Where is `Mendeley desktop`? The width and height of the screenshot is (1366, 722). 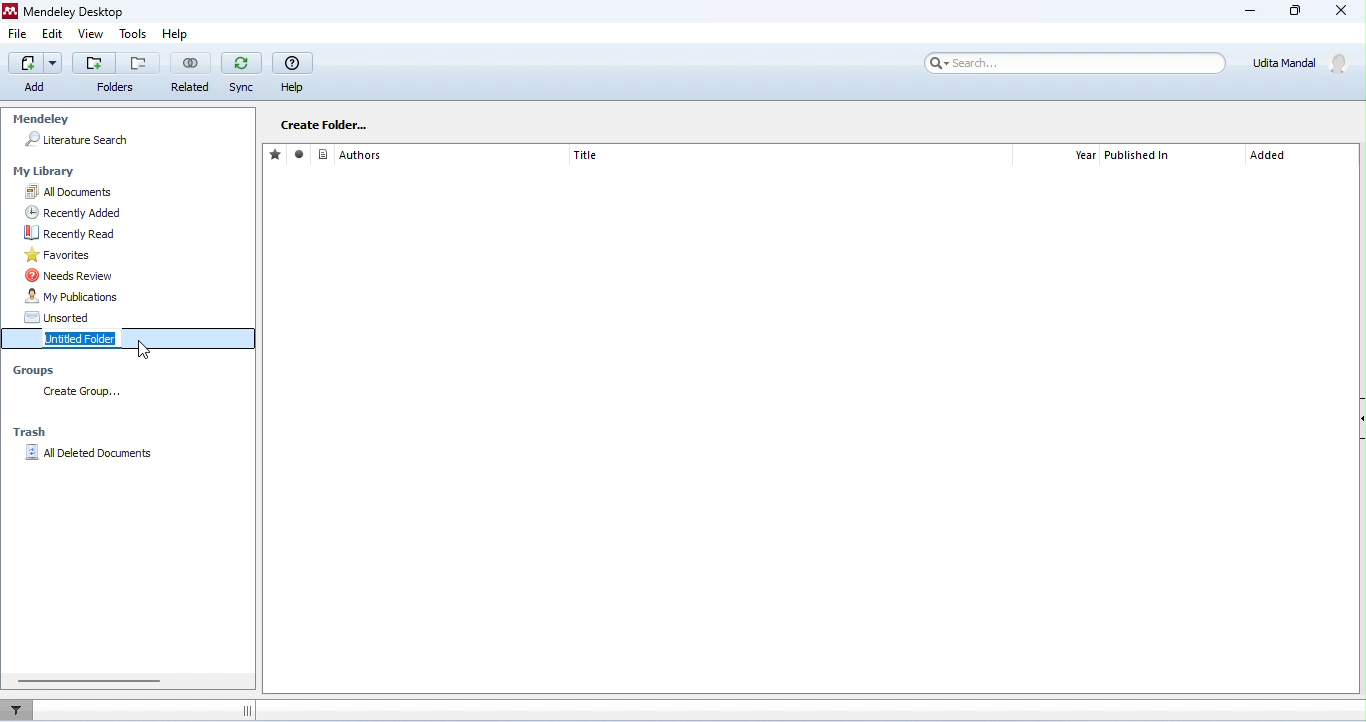
Mendeley desktop is located at coordinates (70, 11).